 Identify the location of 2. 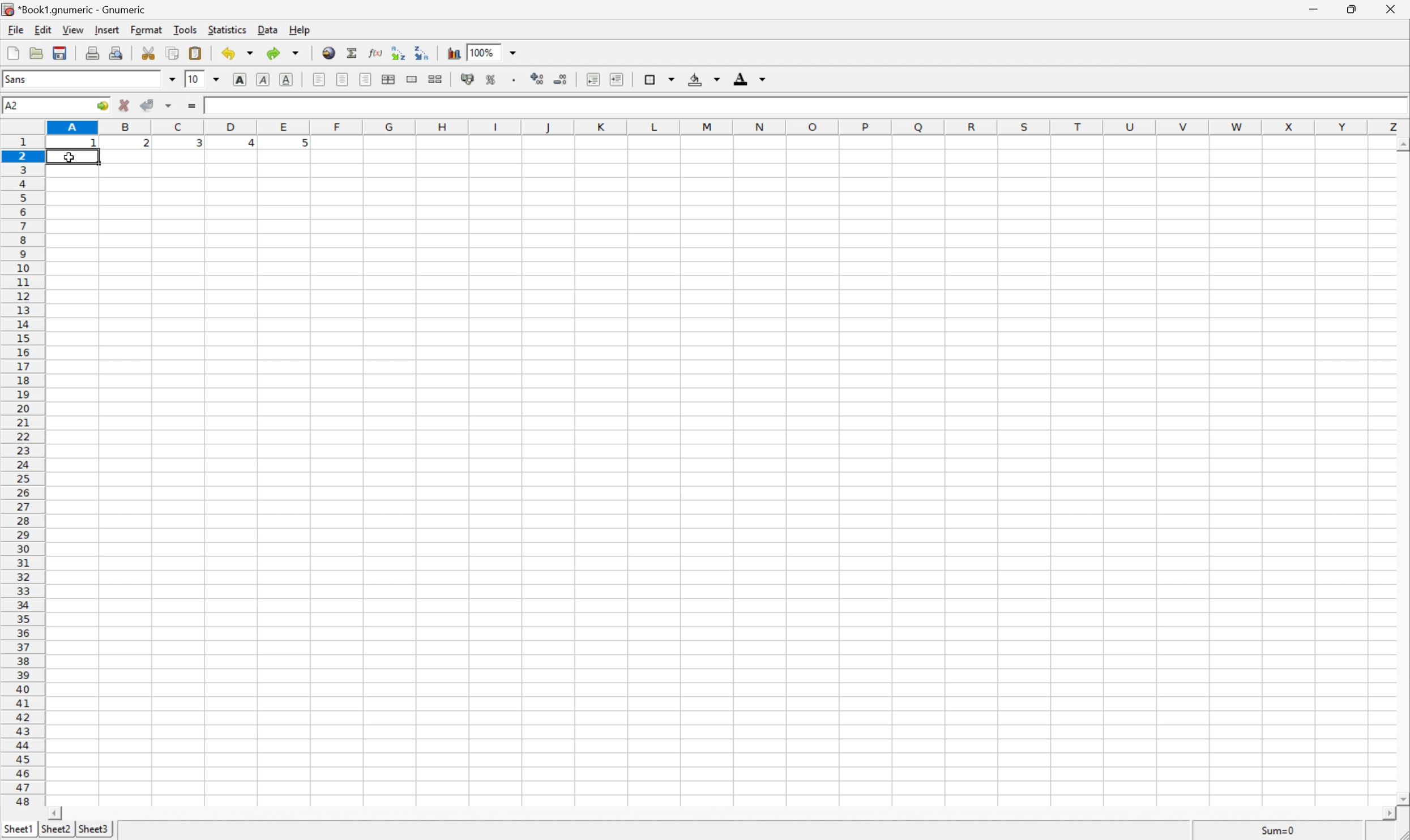
(146, 145).